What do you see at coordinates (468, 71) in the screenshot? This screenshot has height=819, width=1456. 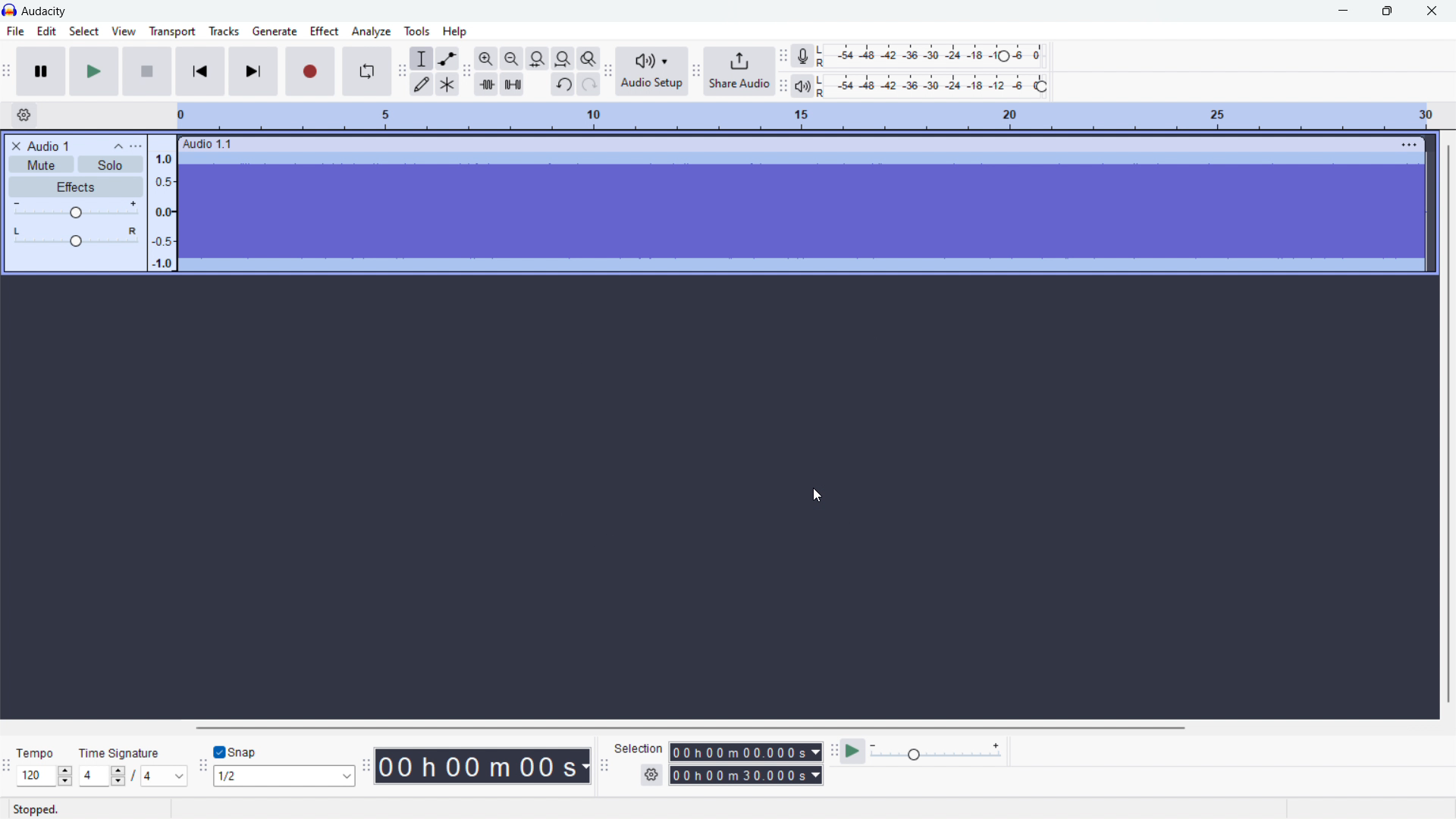 I see `edit toolbar` at bounding box center [468, 71].